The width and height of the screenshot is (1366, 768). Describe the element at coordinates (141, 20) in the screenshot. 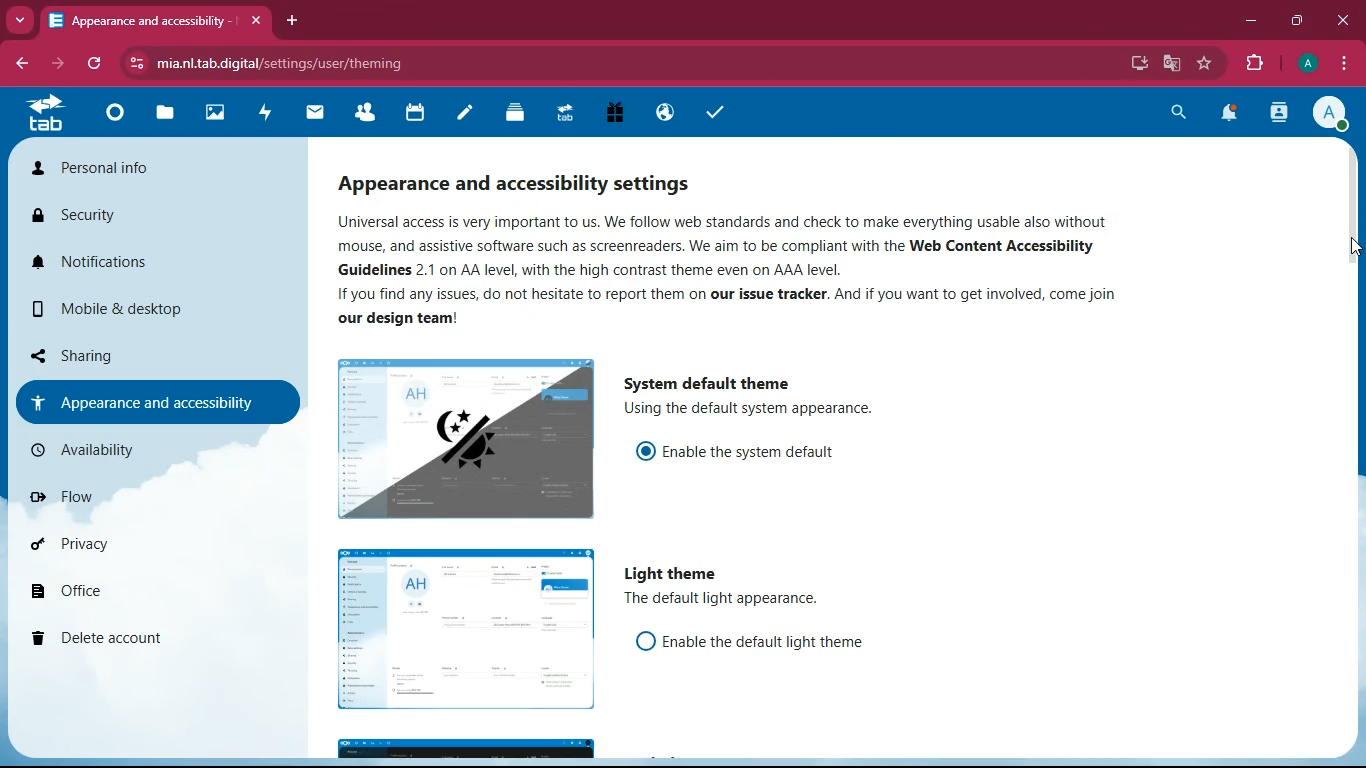

I see `tab` at that location.